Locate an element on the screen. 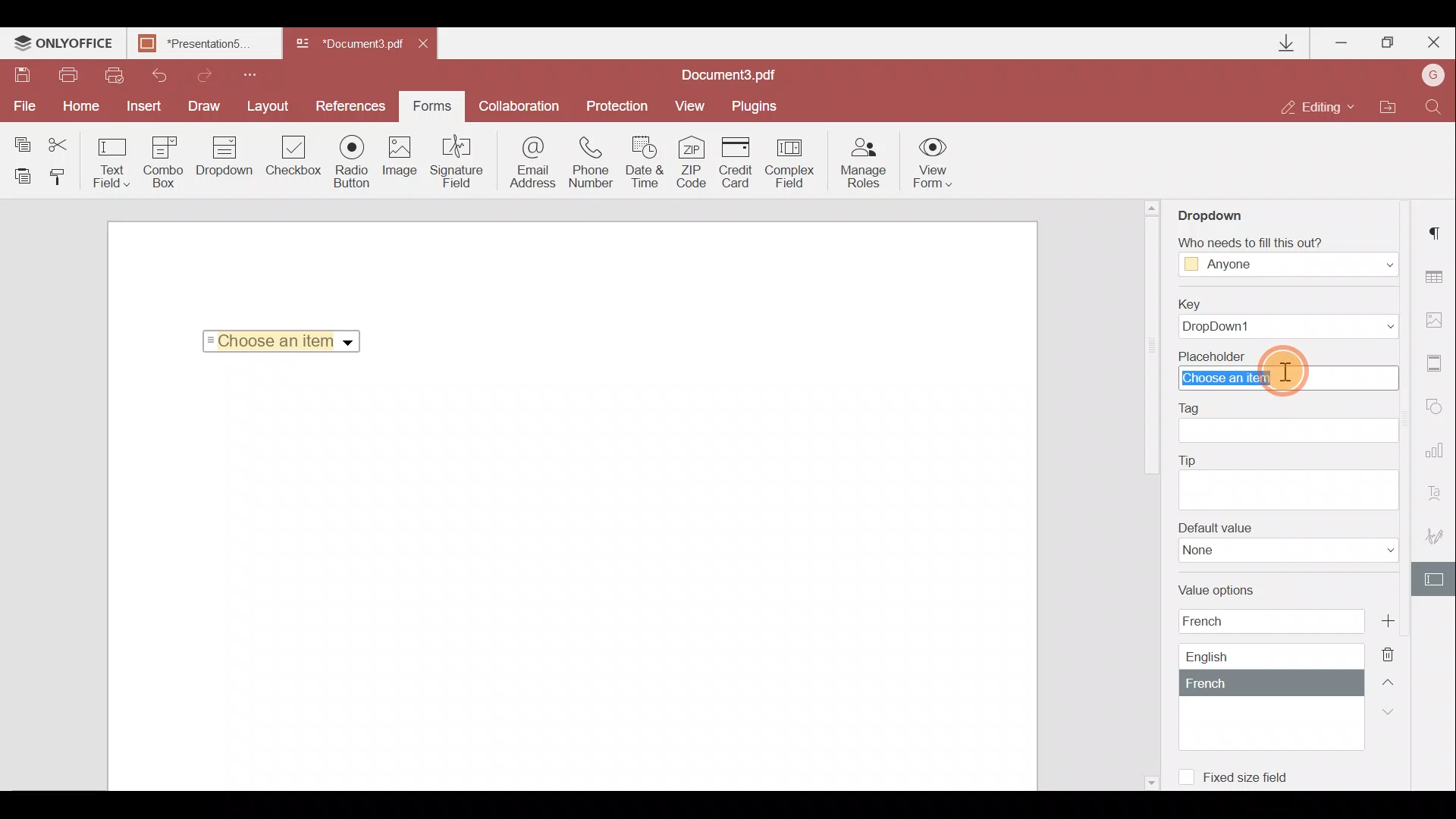 This screenshot has height=819, width=1456. Cursor is located at coordinates (1291, 367).